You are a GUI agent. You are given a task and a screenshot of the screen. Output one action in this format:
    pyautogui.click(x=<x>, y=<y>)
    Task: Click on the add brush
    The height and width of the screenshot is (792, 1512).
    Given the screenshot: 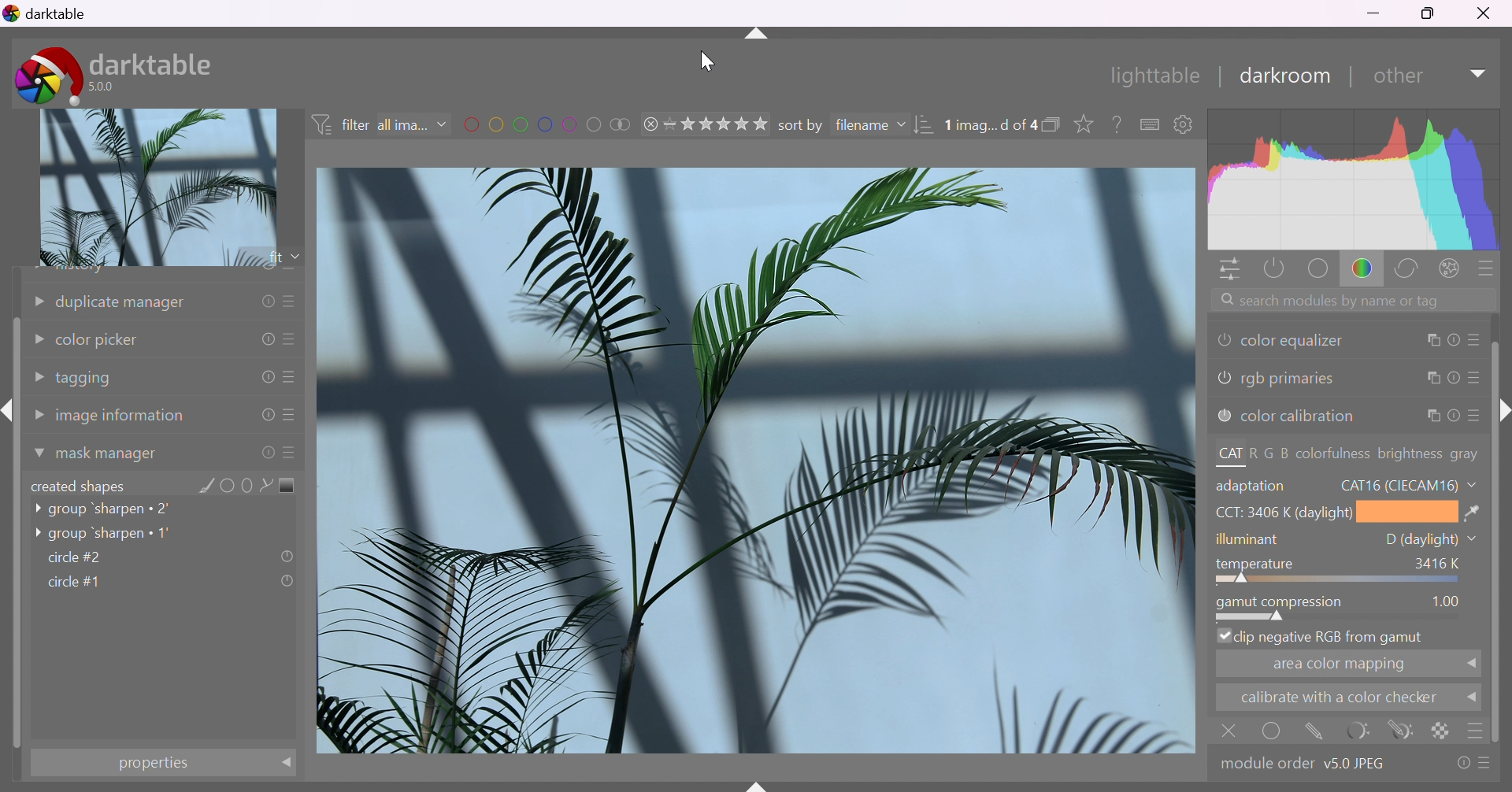 What is the action you would take?
    pyautogui.click(x=204, y=485)
    